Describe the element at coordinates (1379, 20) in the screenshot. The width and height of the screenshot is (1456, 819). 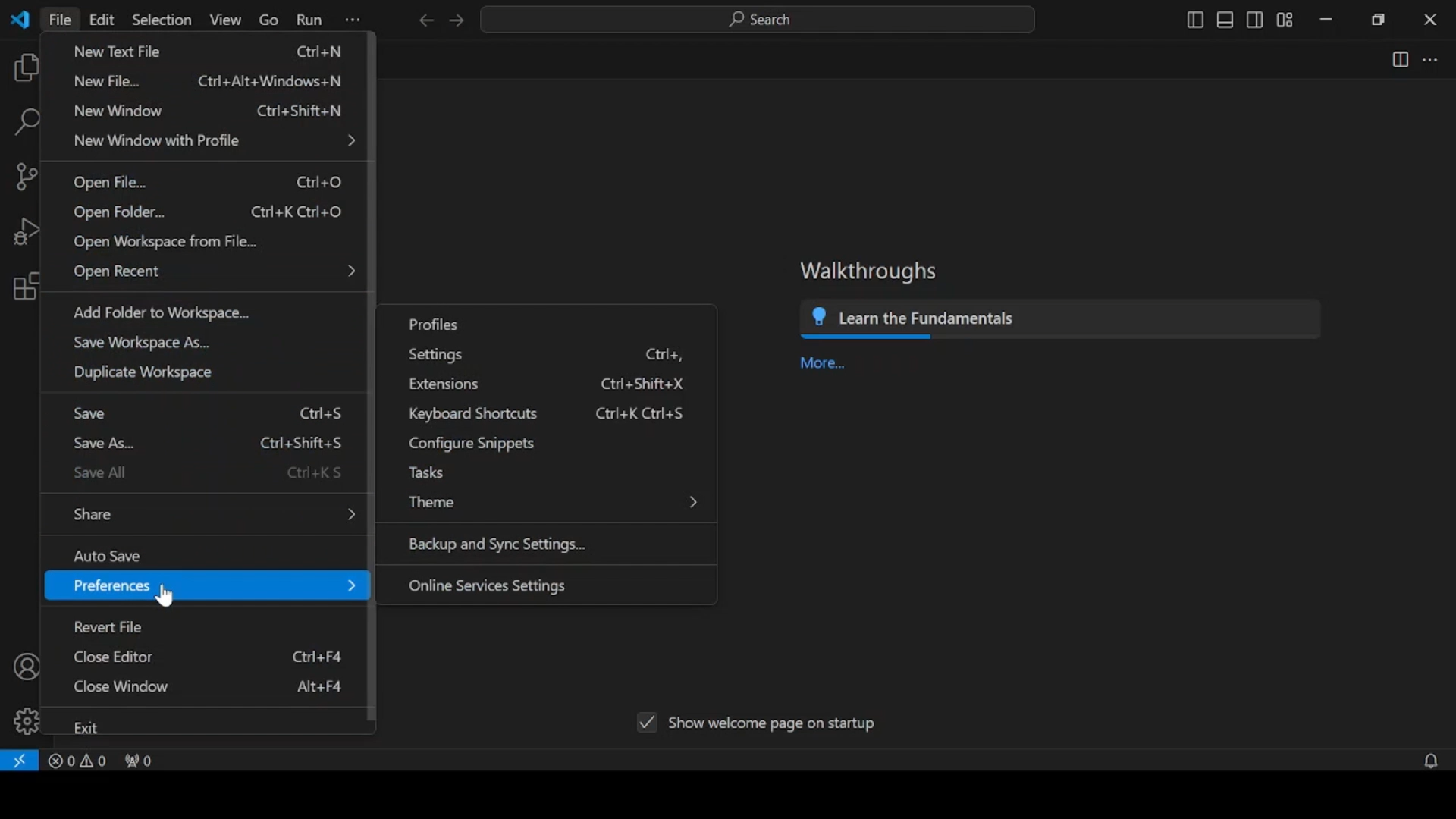
I see `restore down` at that location.